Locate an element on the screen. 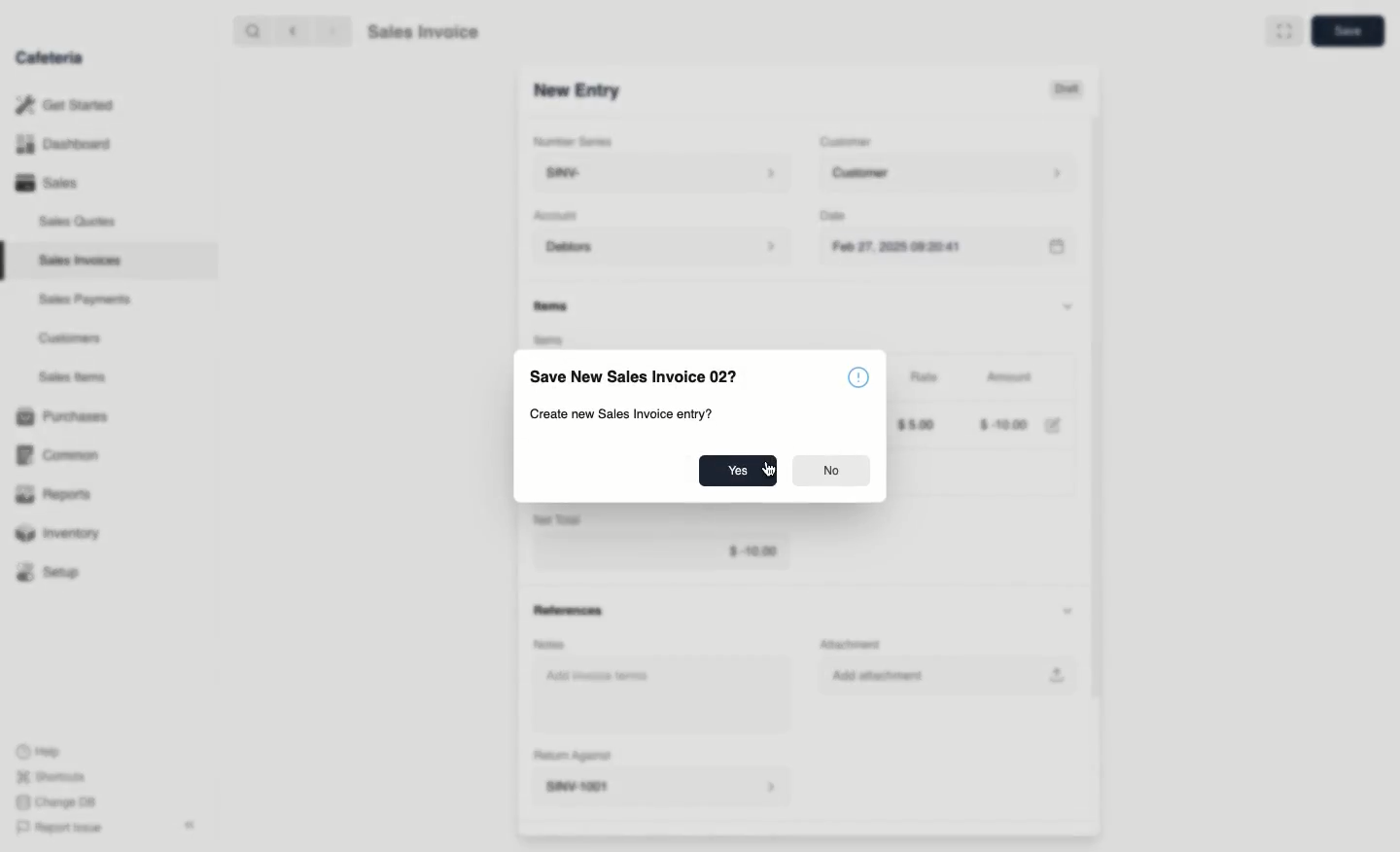  Help is located at coordinates (40, 749).